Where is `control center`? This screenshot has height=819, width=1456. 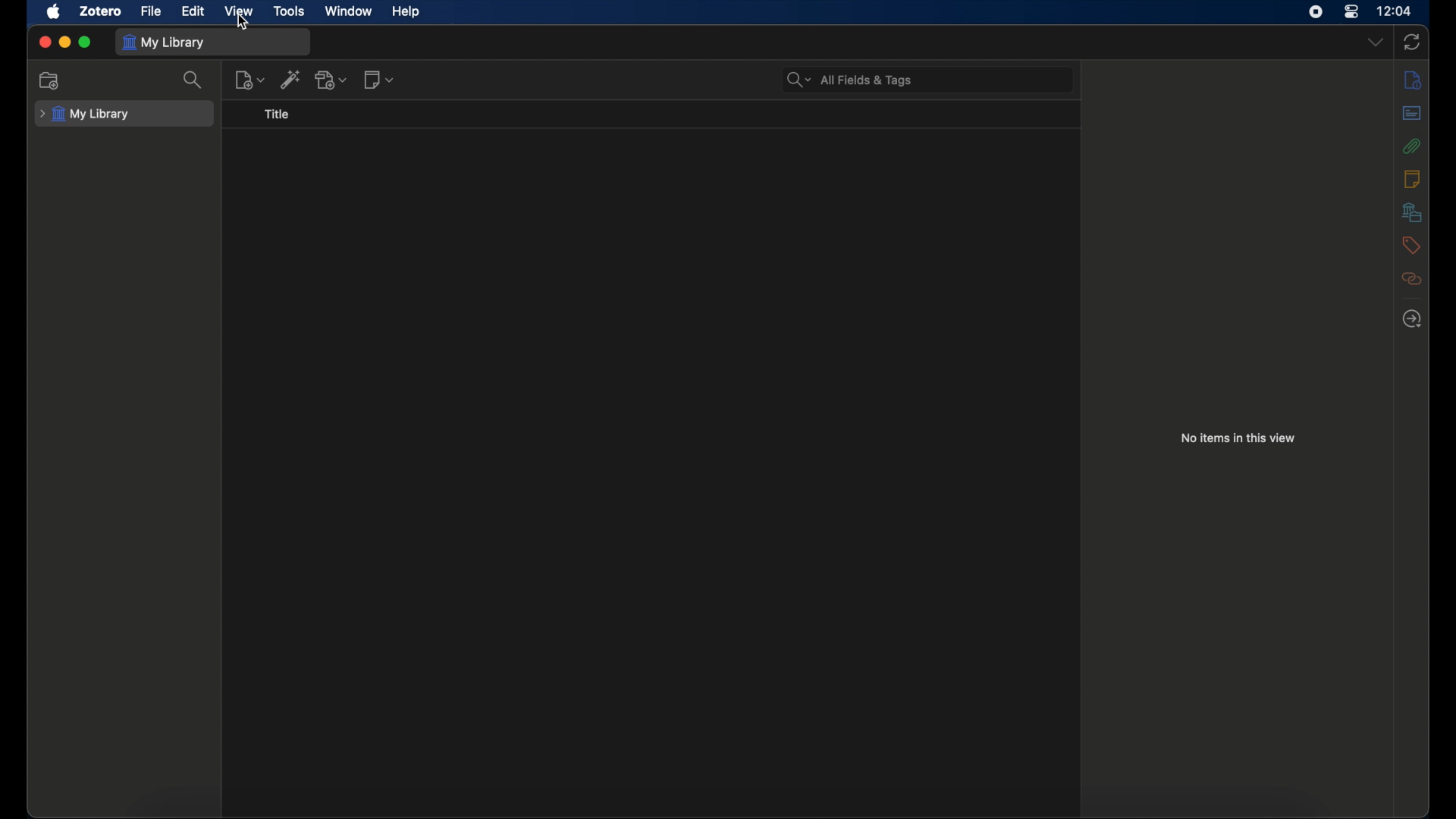
control center is located at coordinates (1352, 12).